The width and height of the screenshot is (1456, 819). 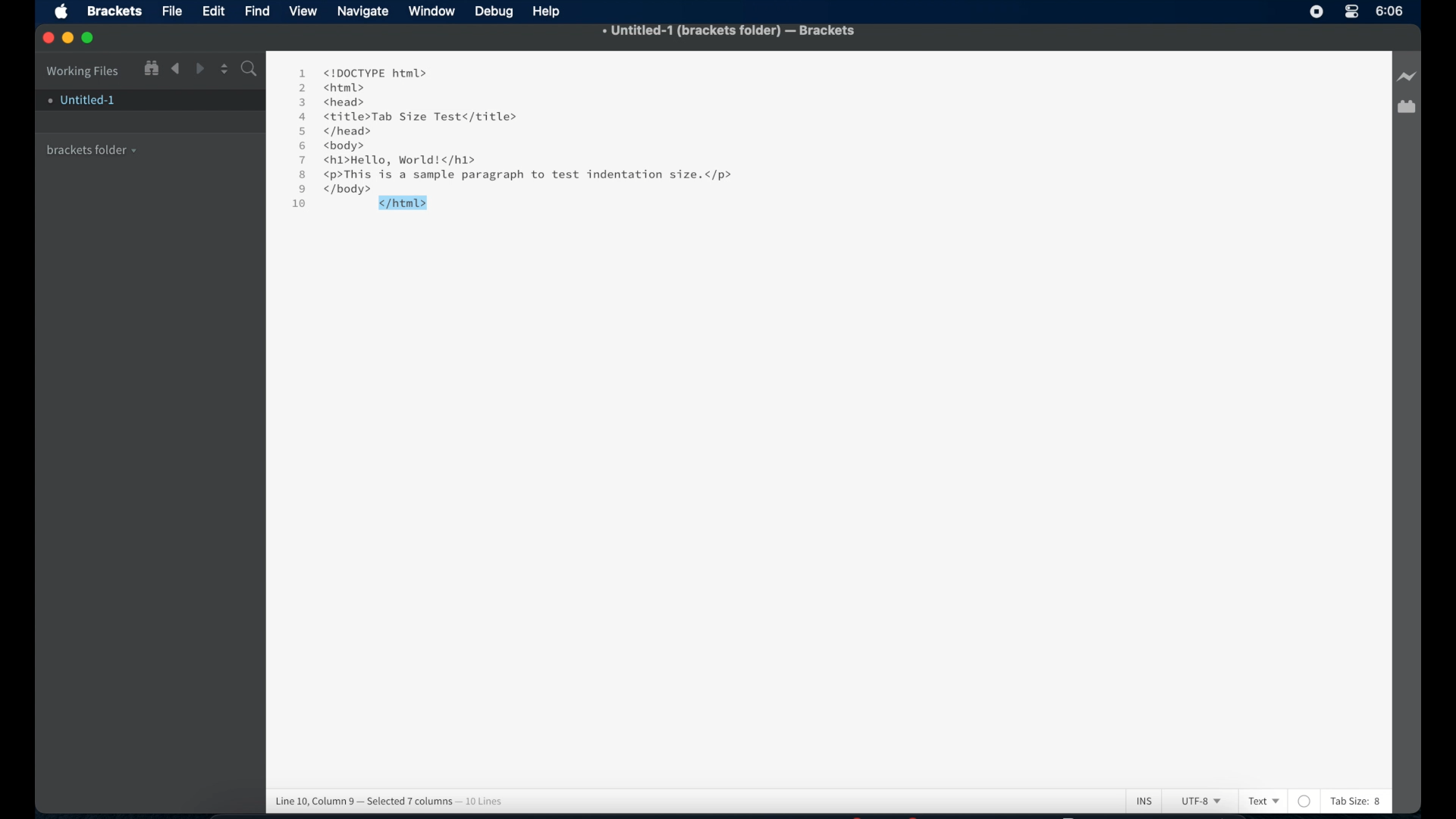 What do you see at coordinates (406, 117) in the screenshot?
I see `4 <title> Tab Size Test</title>` at bounding box center [406, 117].